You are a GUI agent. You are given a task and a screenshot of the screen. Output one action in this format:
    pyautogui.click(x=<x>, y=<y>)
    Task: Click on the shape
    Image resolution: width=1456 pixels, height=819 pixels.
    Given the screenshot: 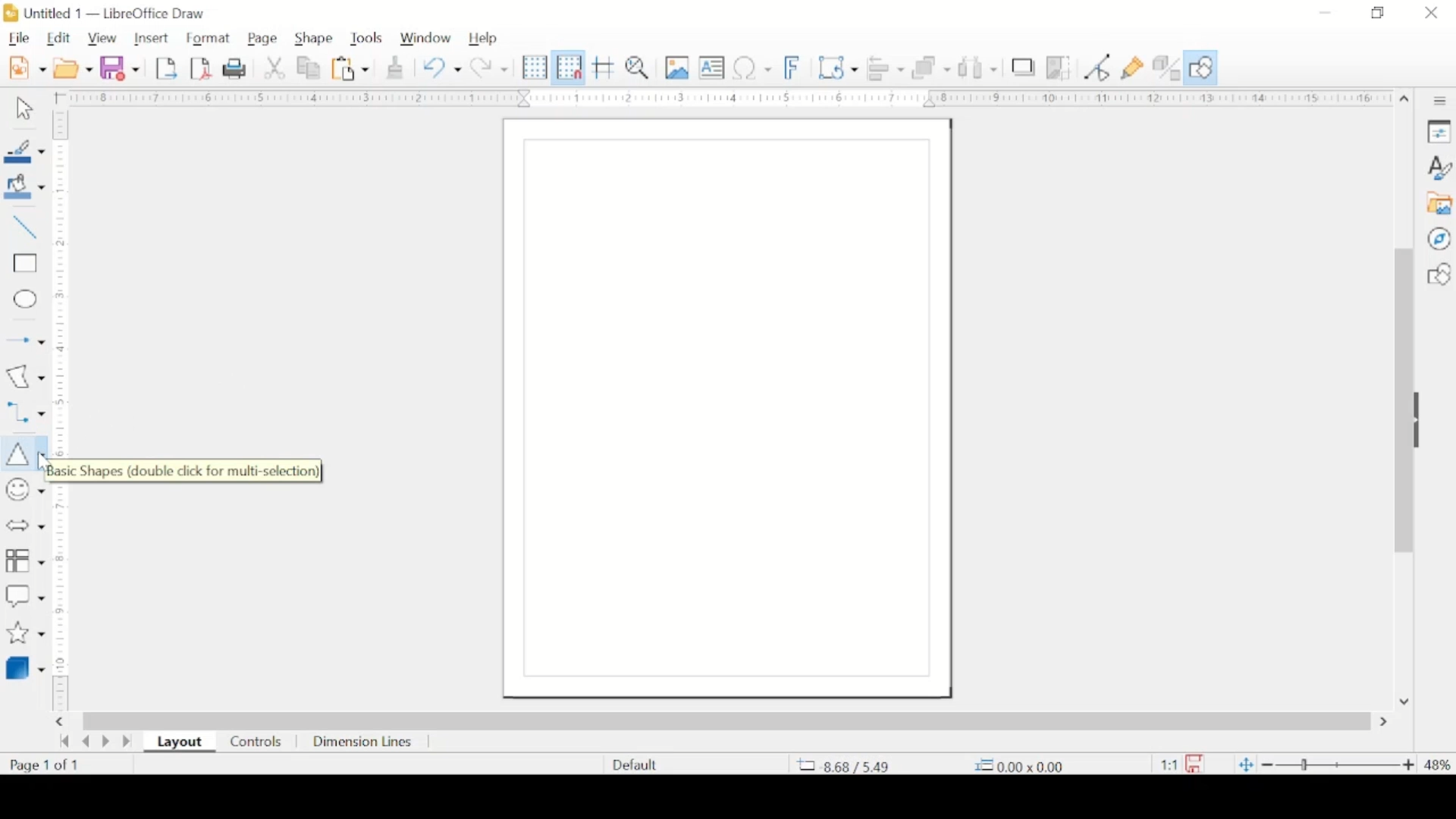 What is the action you would take?
    pyautogui.click(x=312, y=36)
    